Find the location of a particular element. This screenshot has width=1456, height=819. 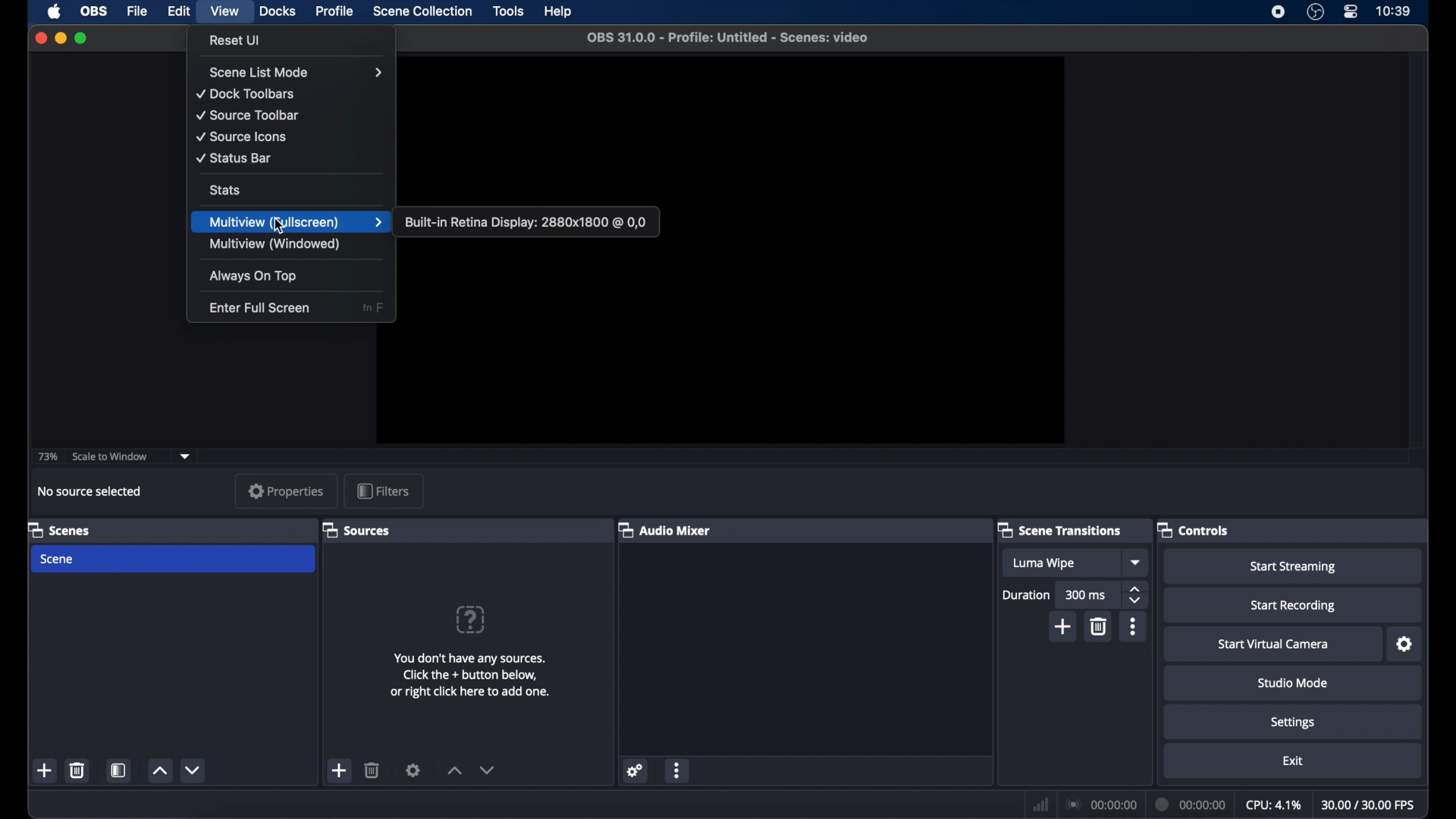

increment is located at coordinates (160, 770).